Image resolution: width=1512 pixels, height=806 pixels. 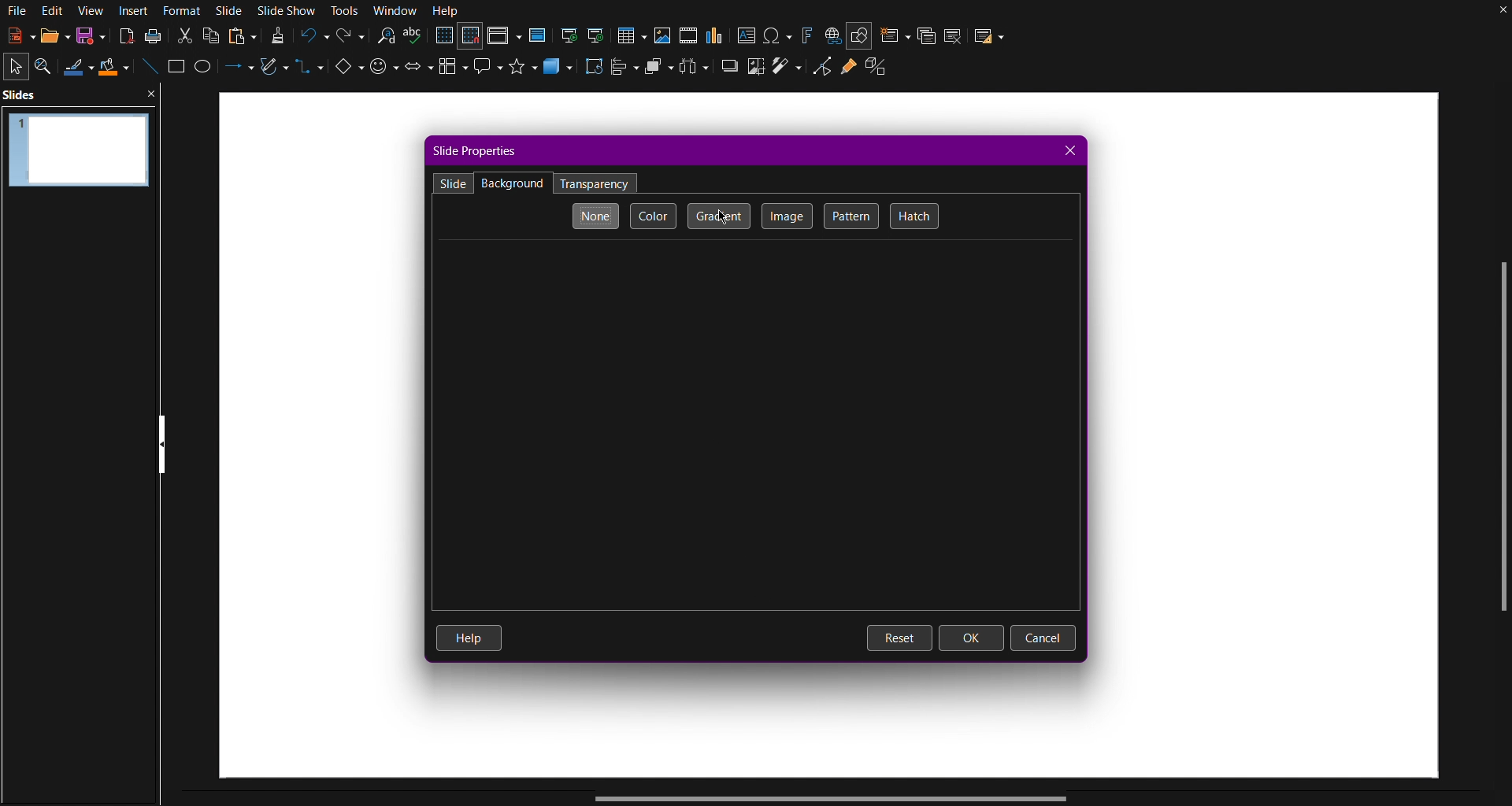 What do you see at coordinates (417, 72) in the screenshot?
I see `Block Arrows` at bounding box center [417, 72].